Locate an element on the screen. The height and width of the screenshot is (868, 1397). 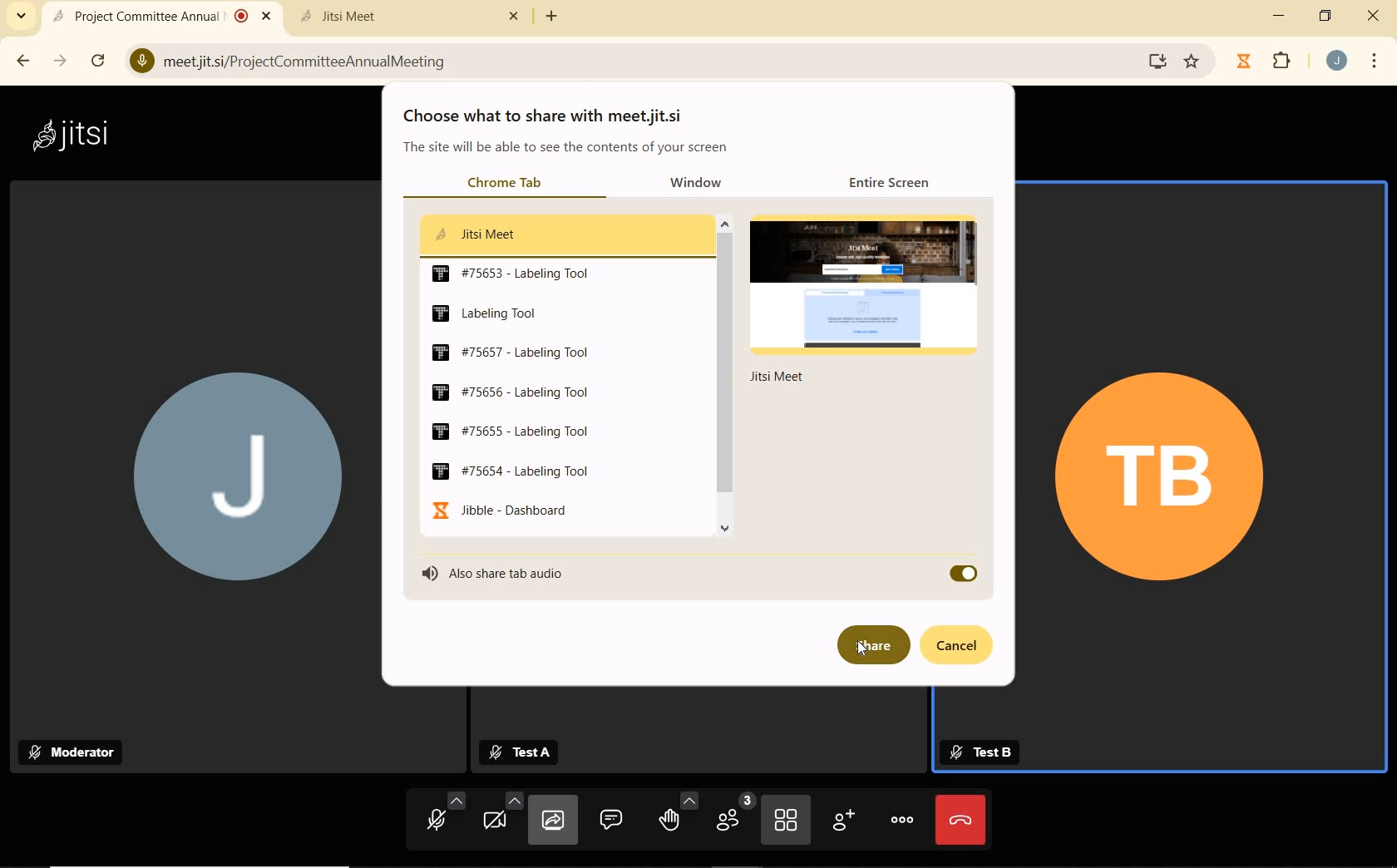
#75655 - Labeling Tool is located at coordinates (511, 432).